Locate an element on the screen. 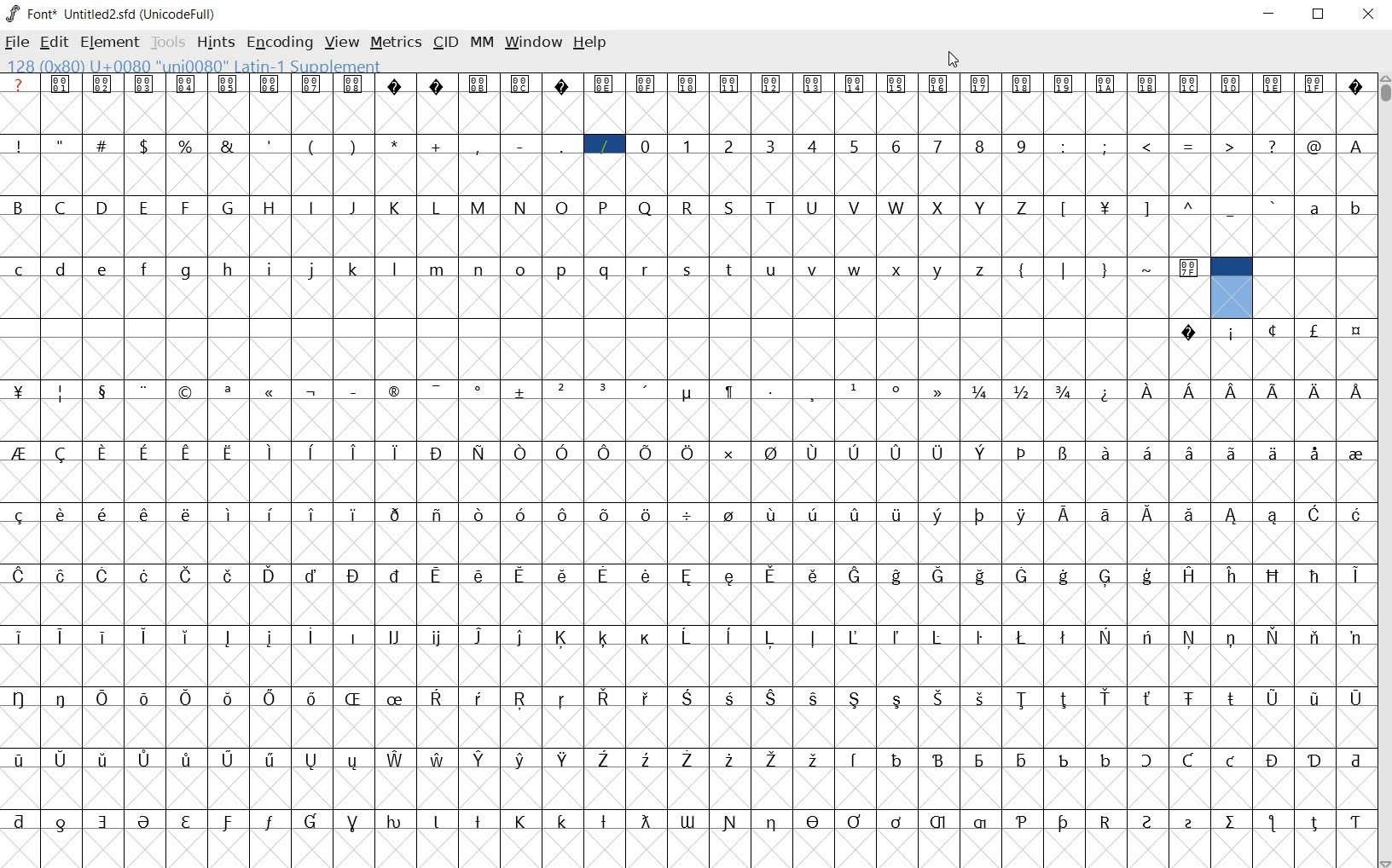 The width and height of the screenshot is (1392, 868). Symbol is located at coordinates (1231, 637).